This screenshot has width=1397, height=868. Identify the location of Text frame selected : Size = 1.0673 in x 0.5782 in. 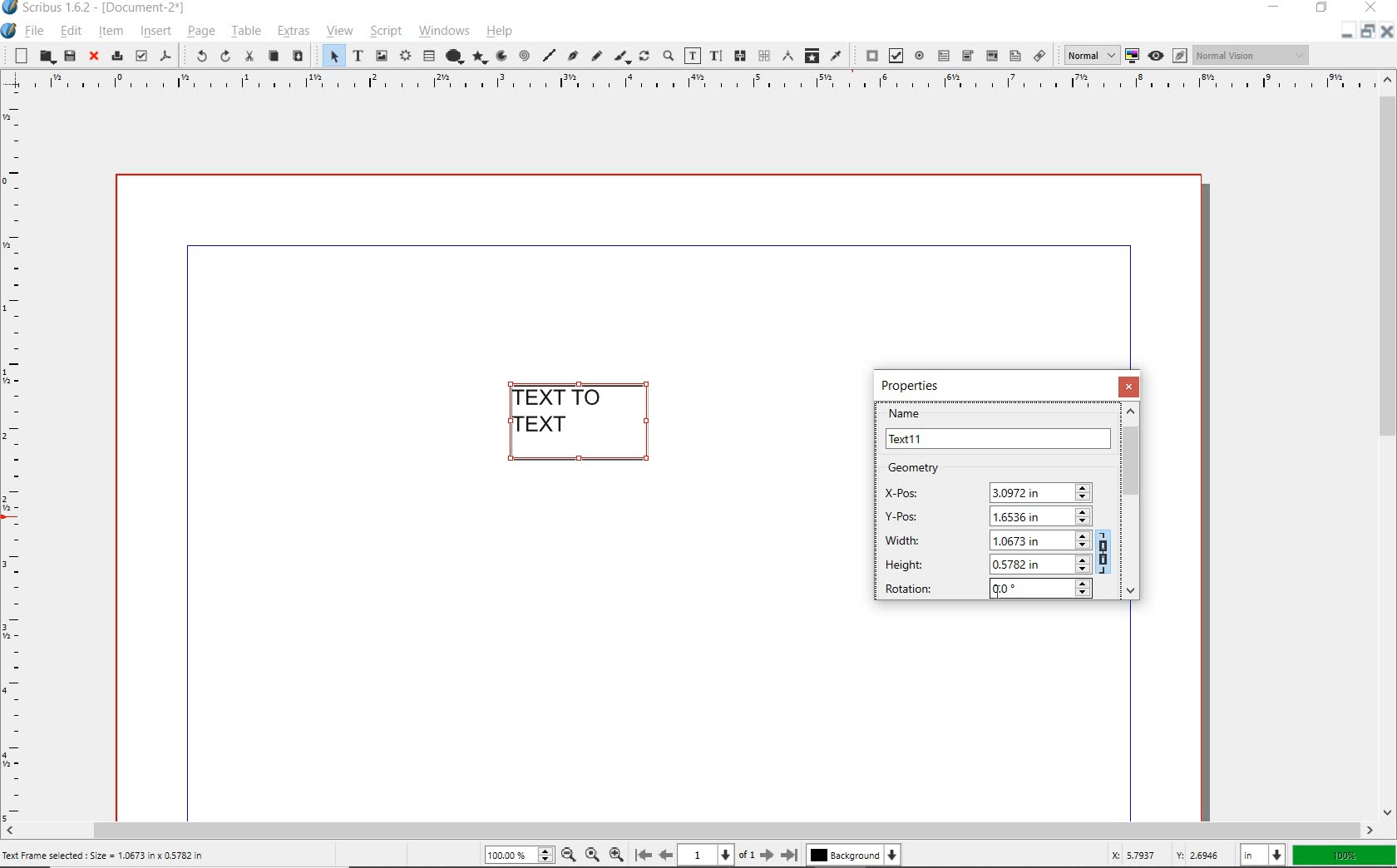
(107, 854).